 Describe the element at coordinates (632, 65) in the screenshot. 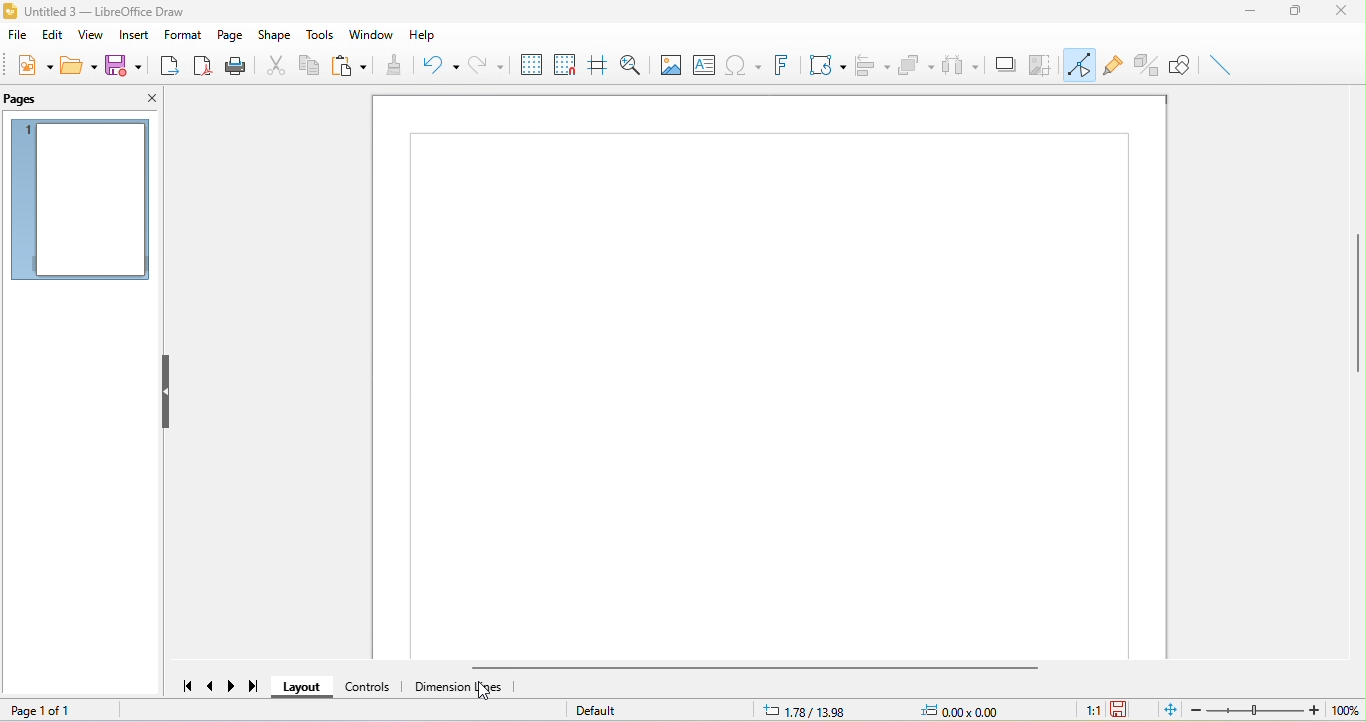

I see `zoom and pan` at that location.